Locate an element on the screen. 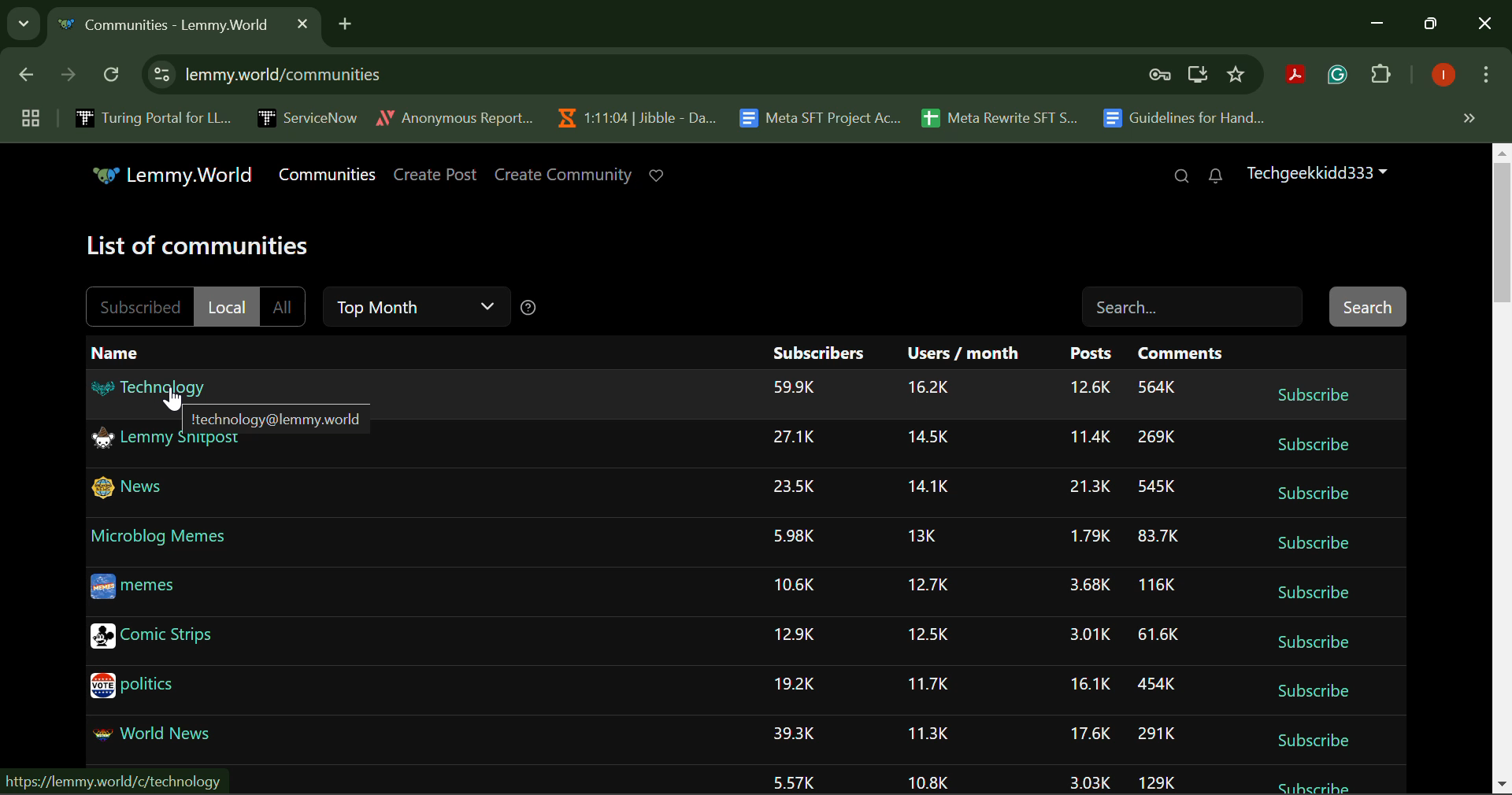  Community Lemmy Address is located at coordinates (278, 416).